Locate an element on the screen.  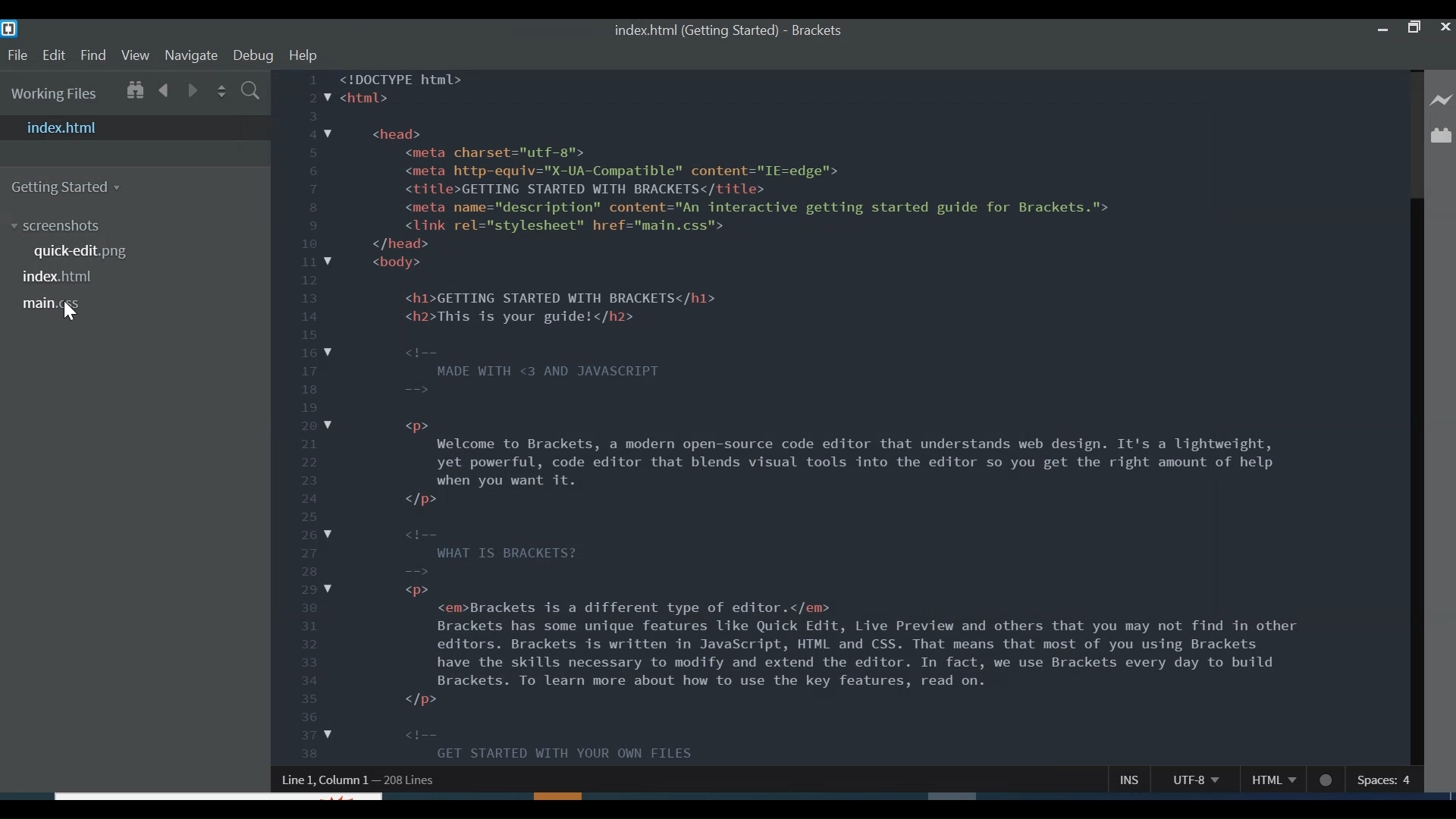
Brackets Desktop icon is located at coordinates (11, 30).